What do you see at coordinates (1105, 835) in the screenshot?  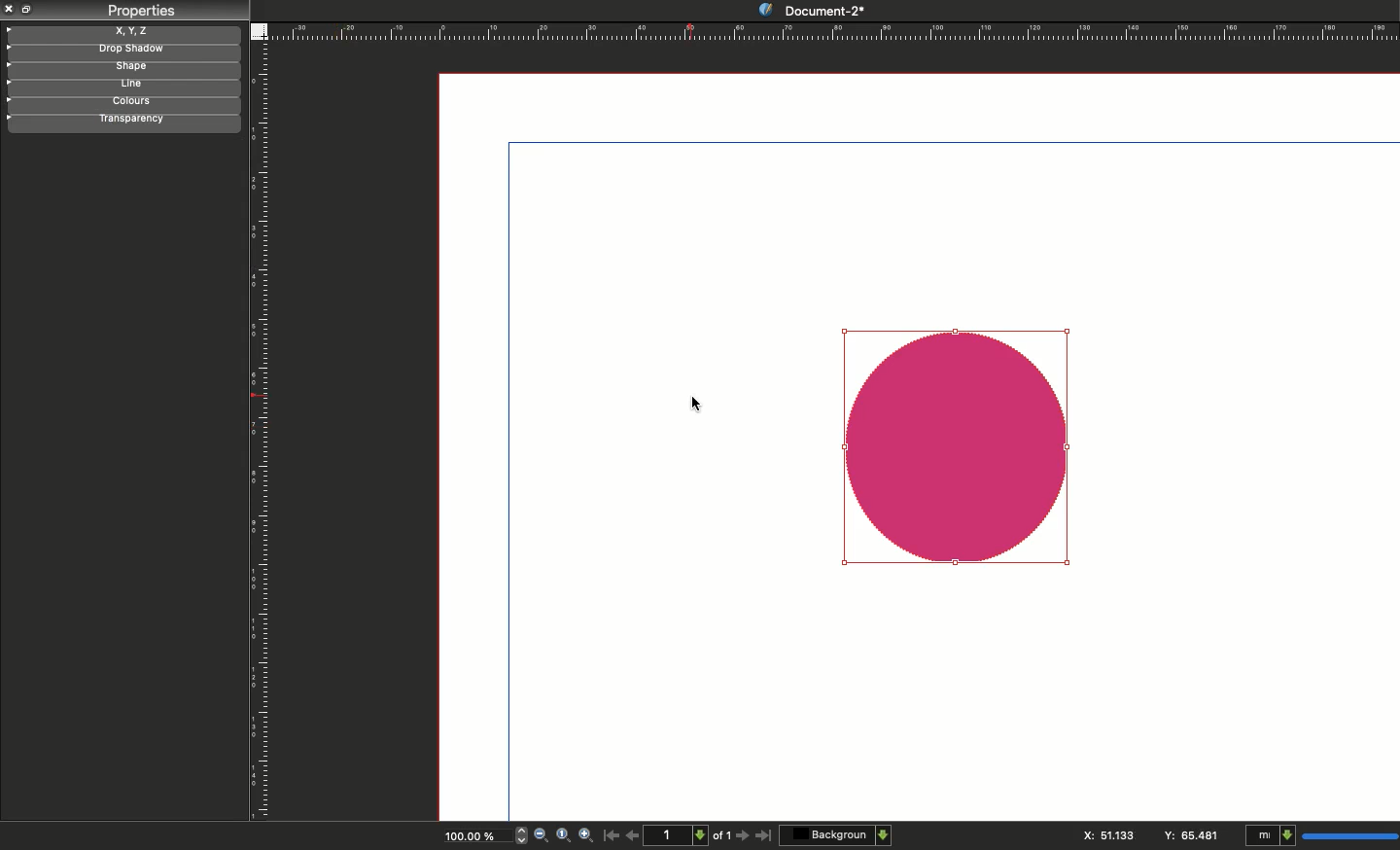 I see `X: 115.544` at bounding box center [1105, 835].